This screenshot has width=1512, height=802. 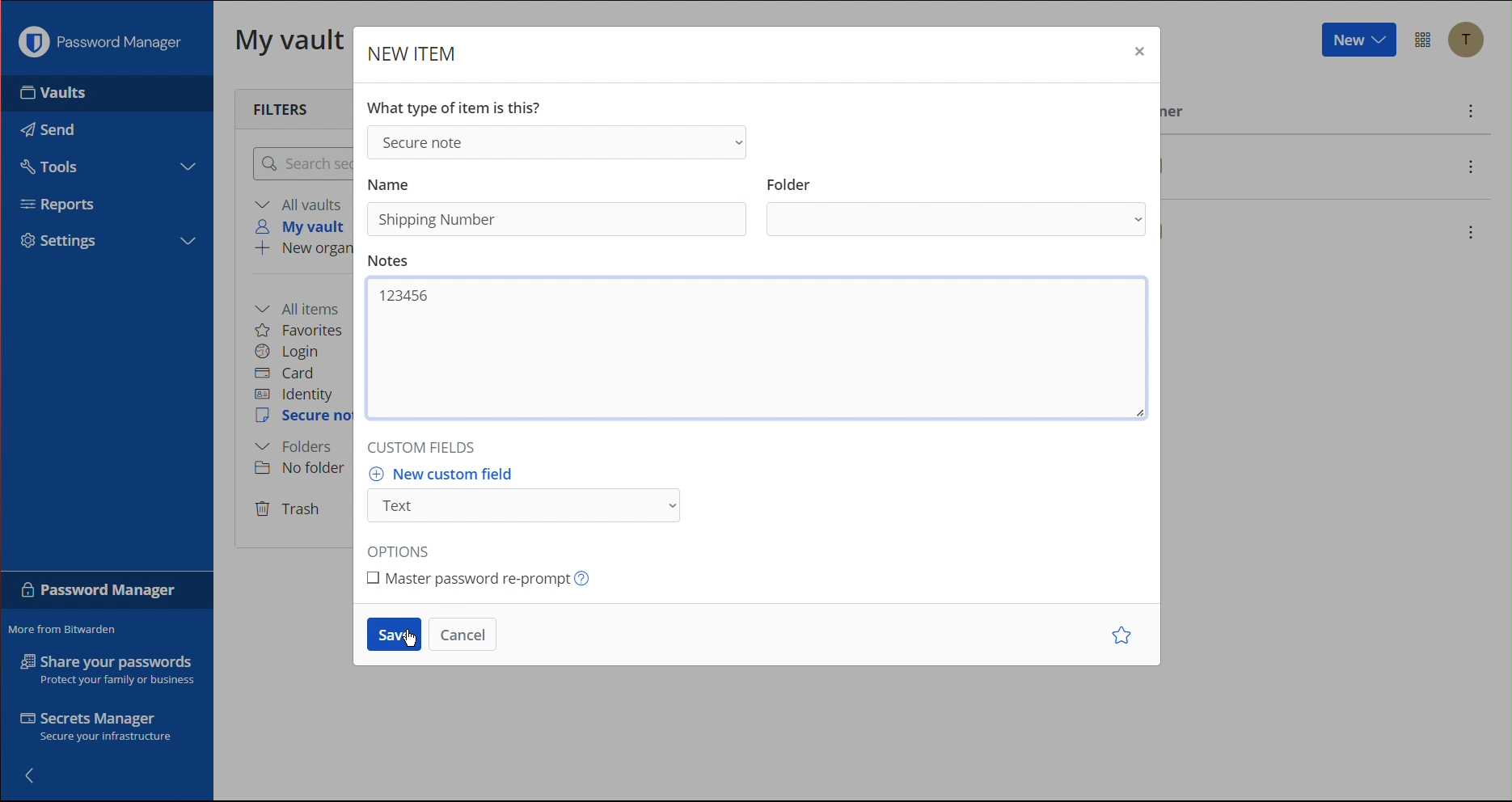 What do you see at coordinates (294, 373) in the screenshot?
I see `Card` at bounding box center [294, 373].